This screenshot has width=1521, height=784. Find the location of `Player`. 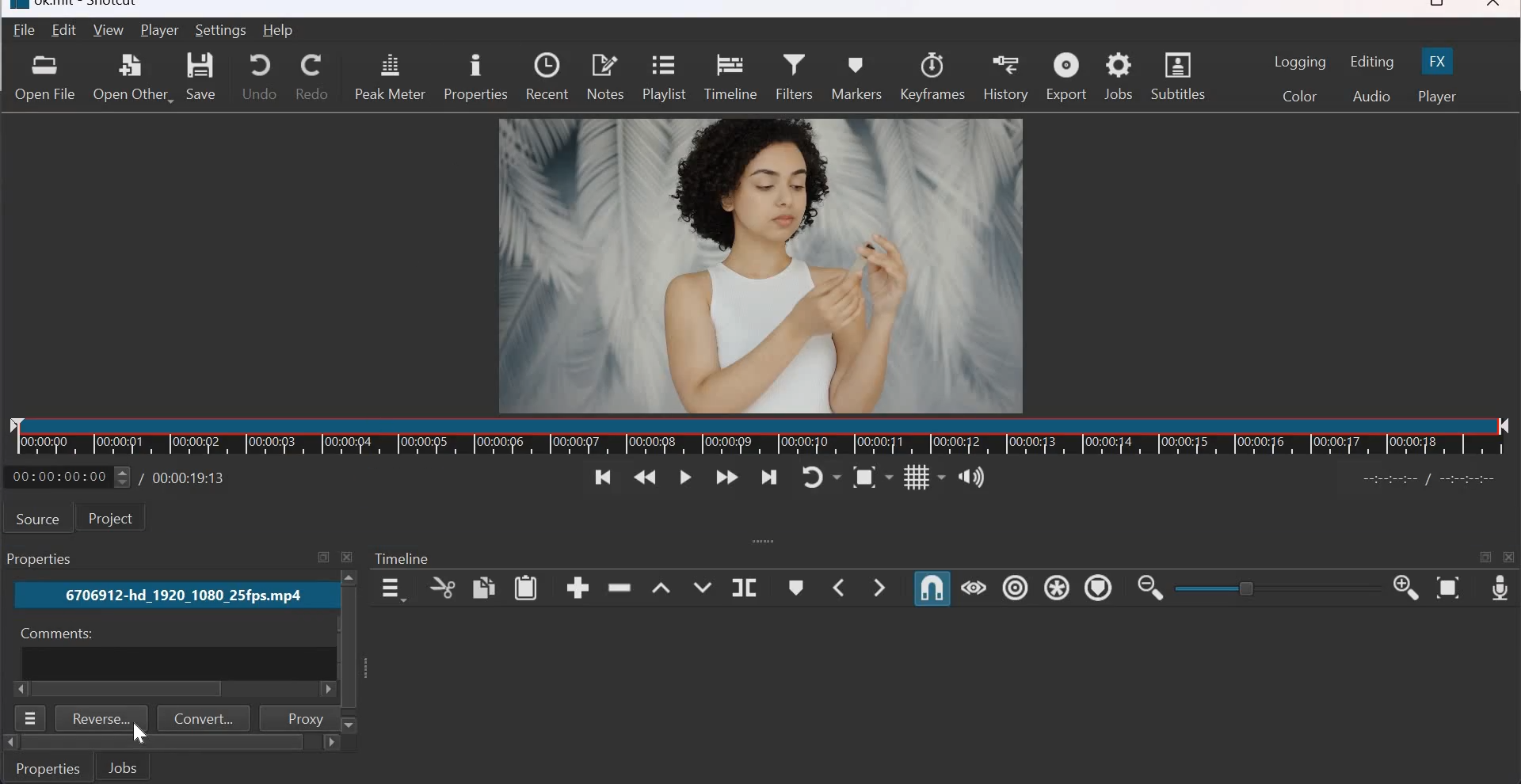

Player is located at coordinates (1437, 97).